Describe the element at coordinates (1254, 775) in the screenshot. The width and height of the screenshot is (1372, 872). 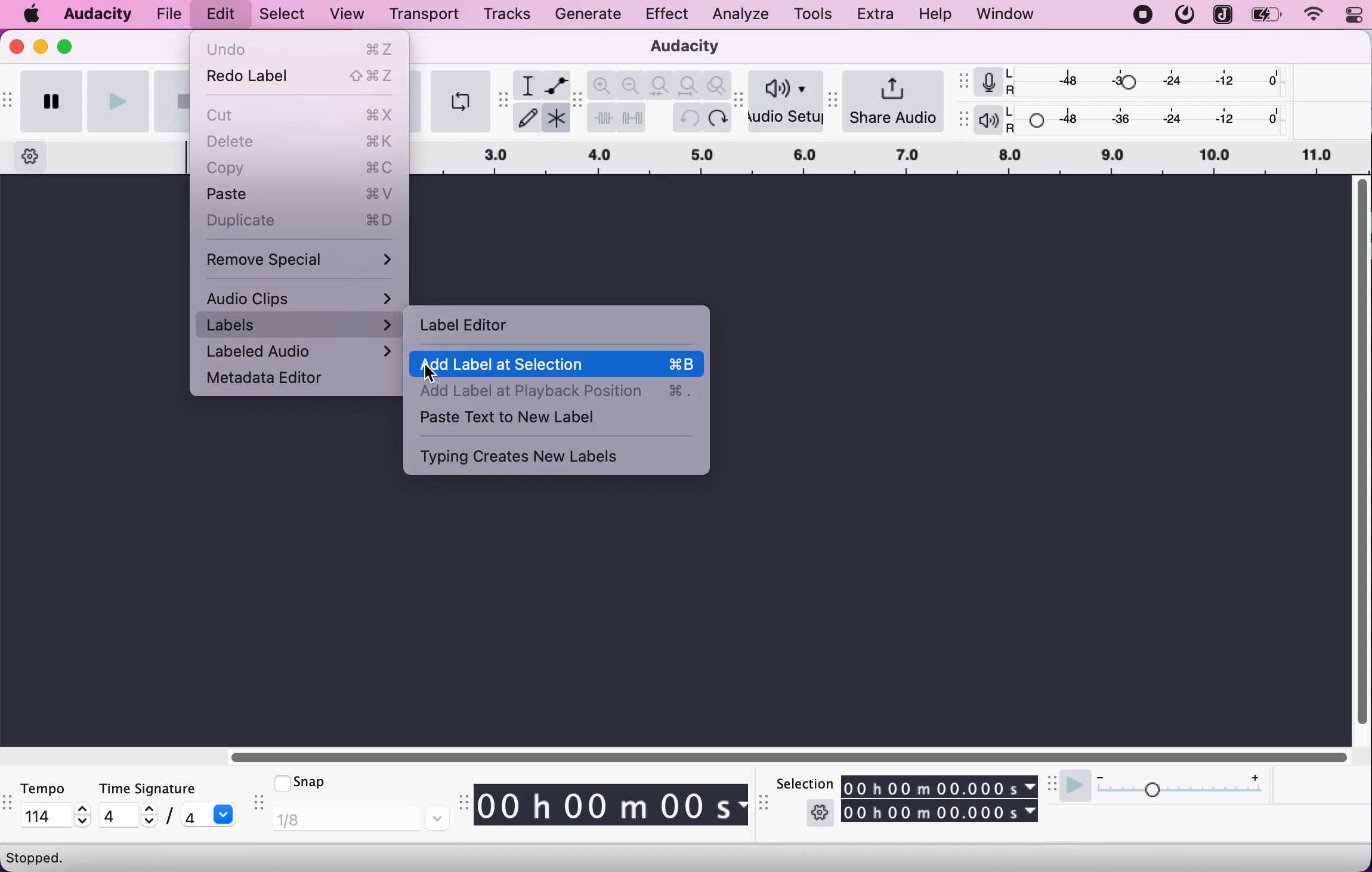
I see `increase` at that location.